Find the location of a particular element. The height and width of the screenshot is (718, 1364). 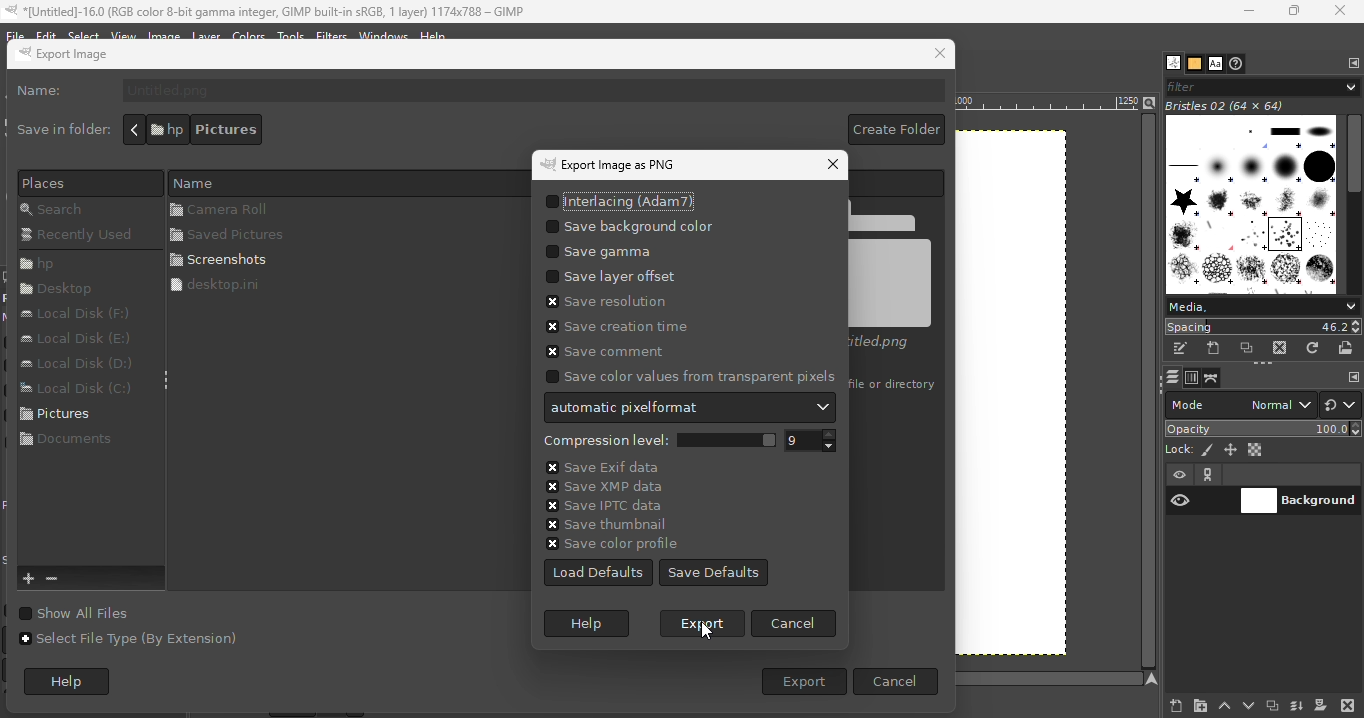

Name: is located at coordinates (46, 93).